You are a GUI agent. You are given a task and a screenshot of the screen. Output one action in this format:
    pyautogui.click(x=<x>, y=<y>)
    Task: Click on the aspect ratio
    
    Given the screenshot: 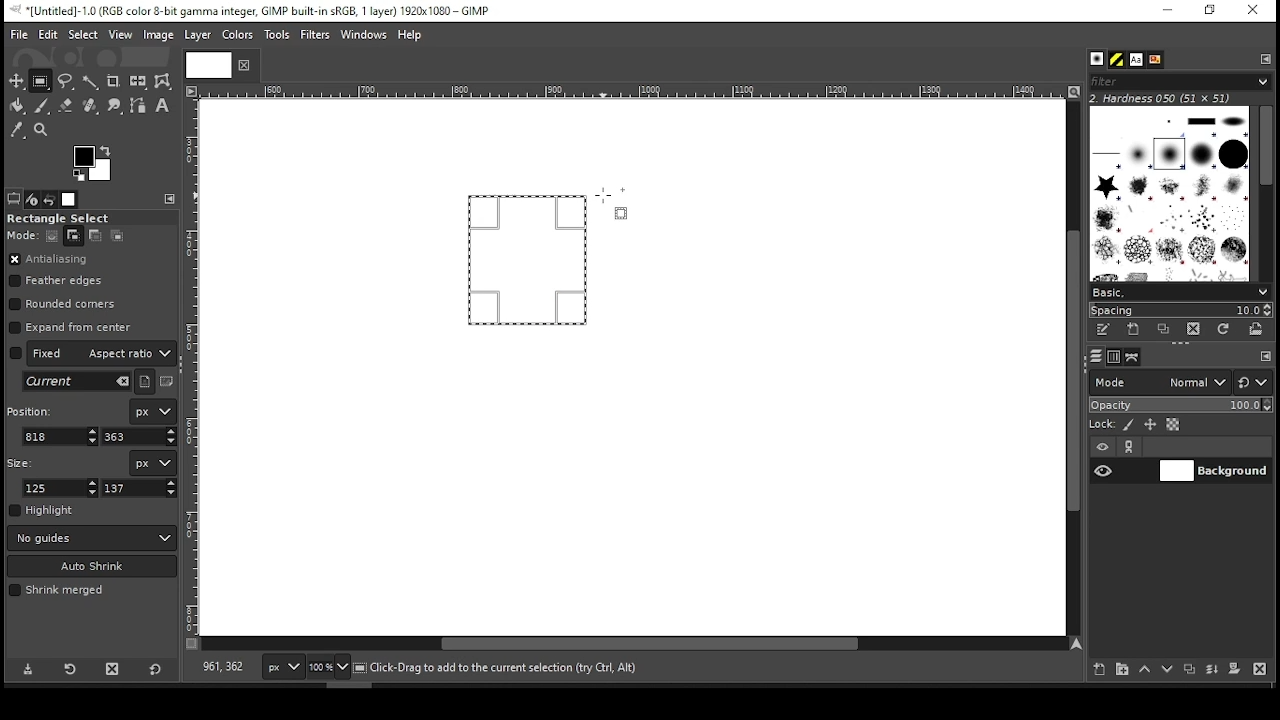 What is the action you would take?
    pyautogui.click(x=93, y=352)
    